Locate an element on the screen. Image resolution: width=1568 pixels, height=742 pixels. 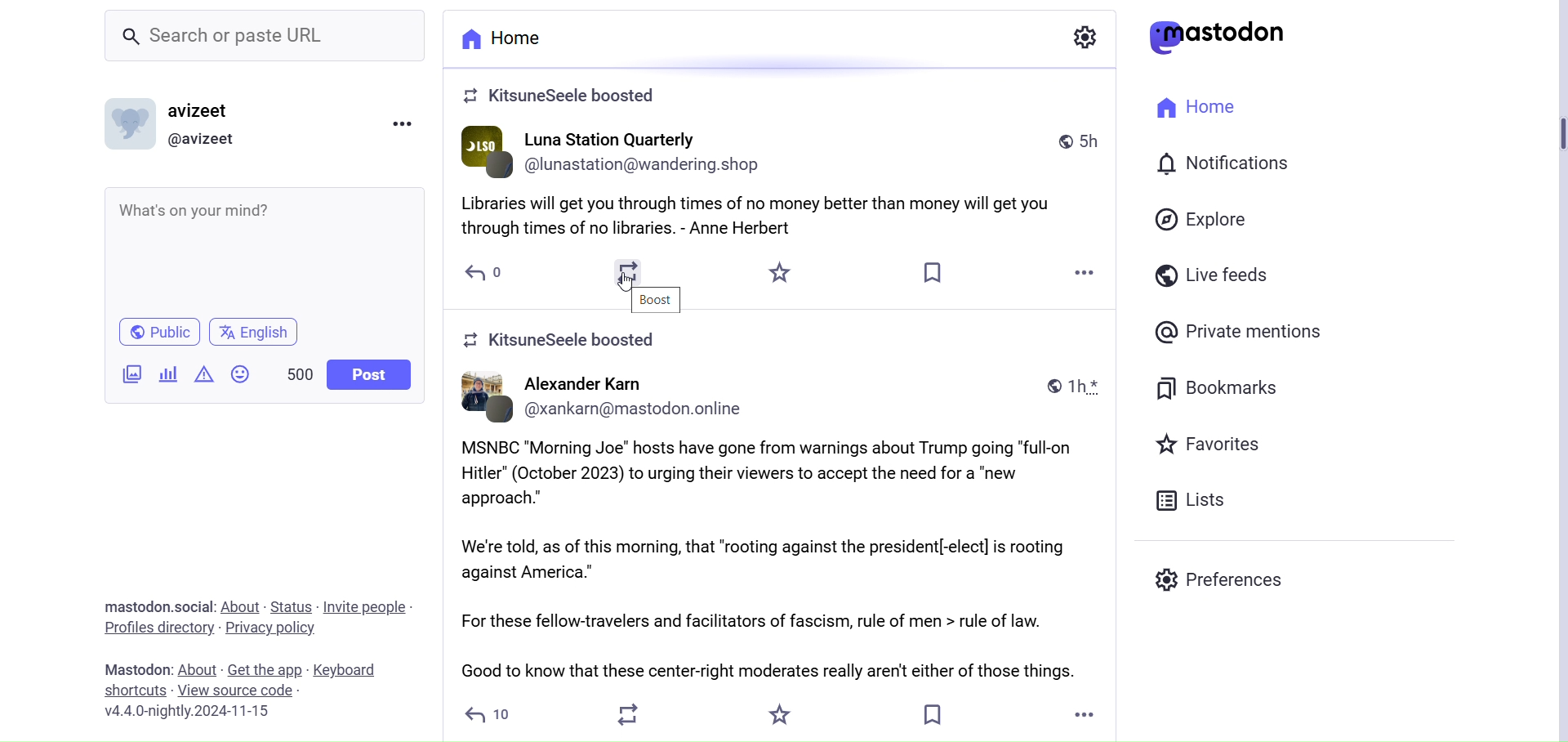
Favorite is located at coordinates (783, 714).